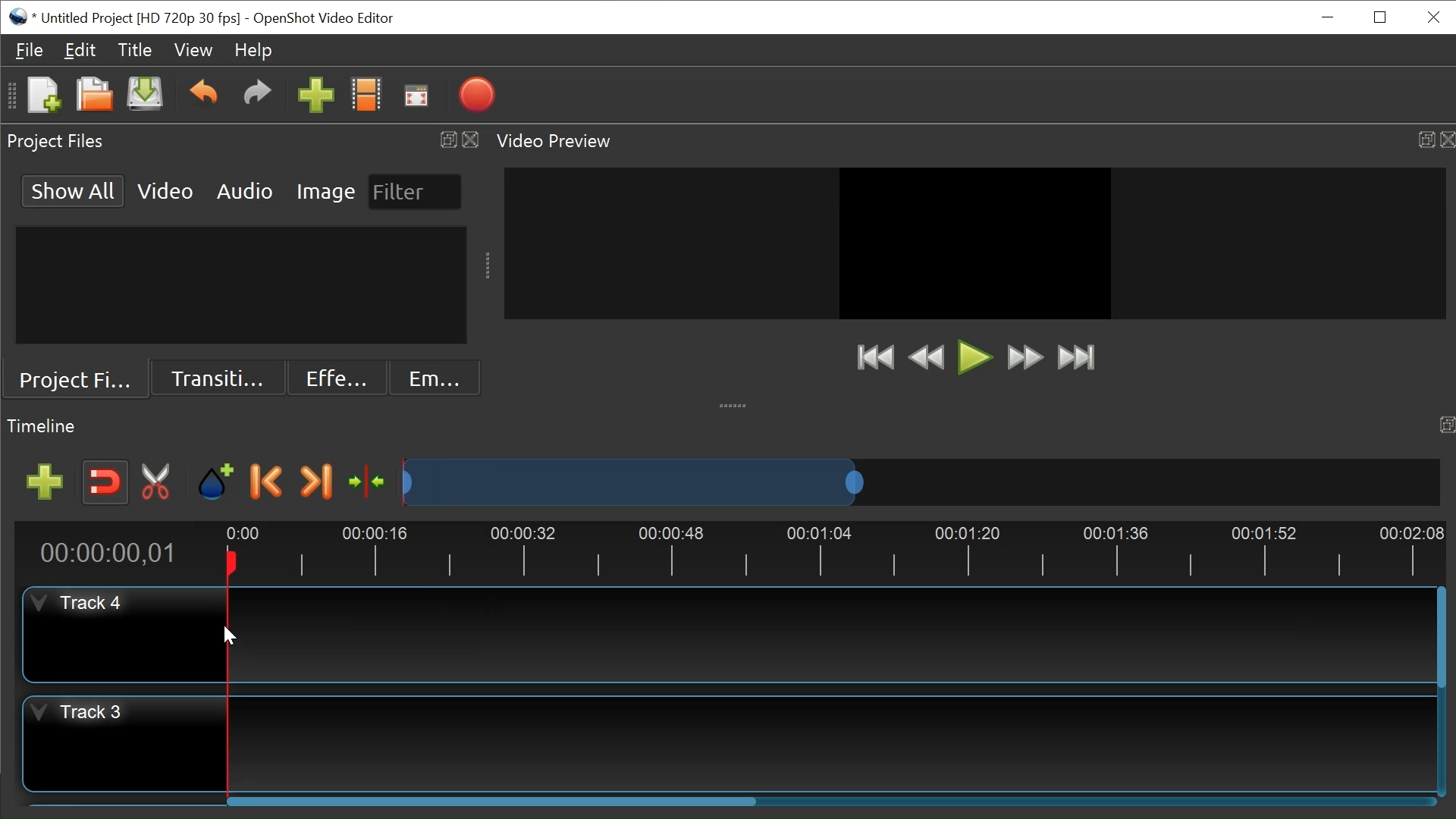 This screenshot has height=819, width=1456. What do you see at coordinates (48, 482) in the screenshot?
I see `Add Track` at bounding box center [48, 482].